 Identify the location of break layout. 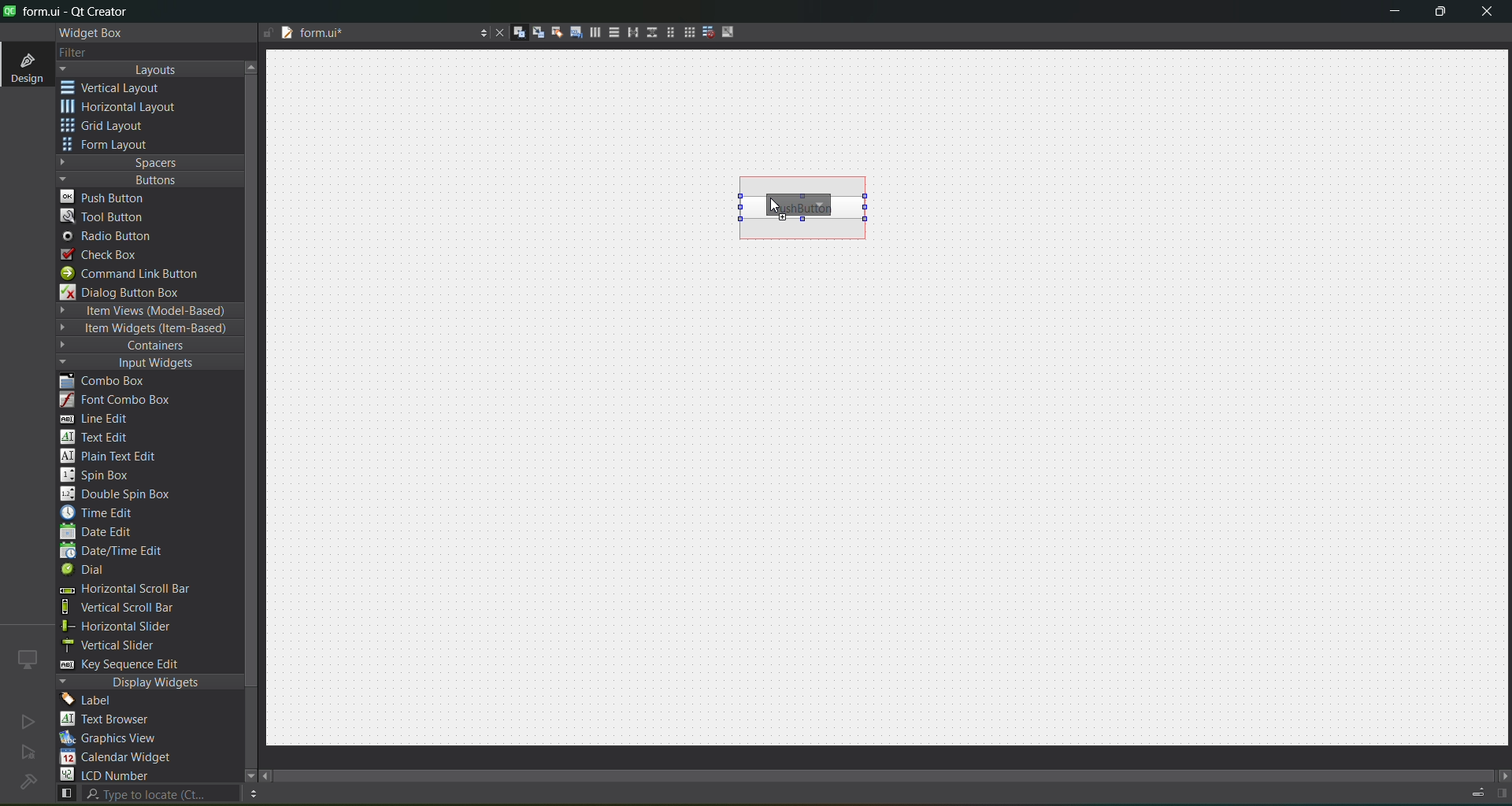
(704, 33).